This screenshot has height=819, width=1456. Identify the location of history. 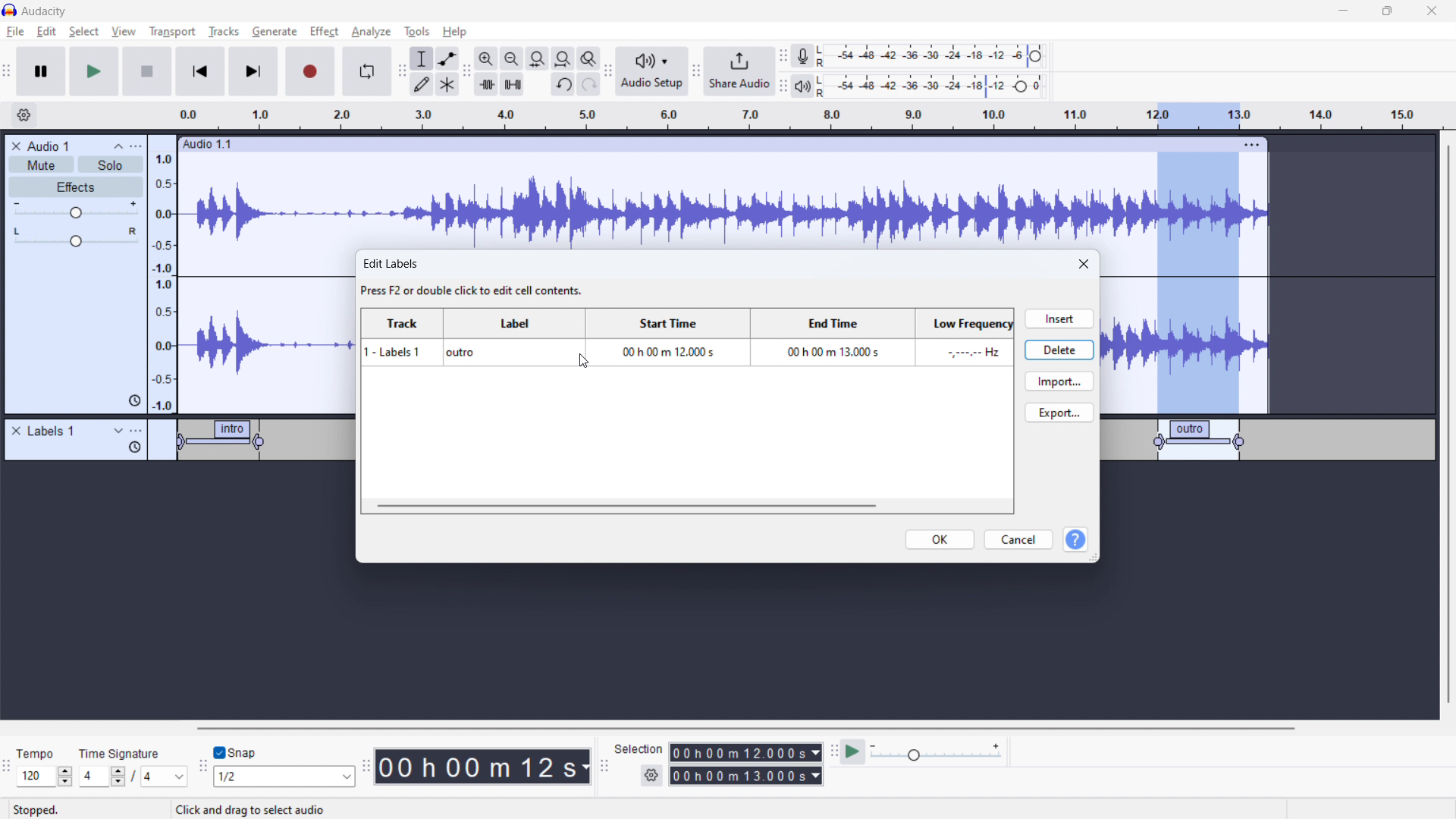
(134, 447).